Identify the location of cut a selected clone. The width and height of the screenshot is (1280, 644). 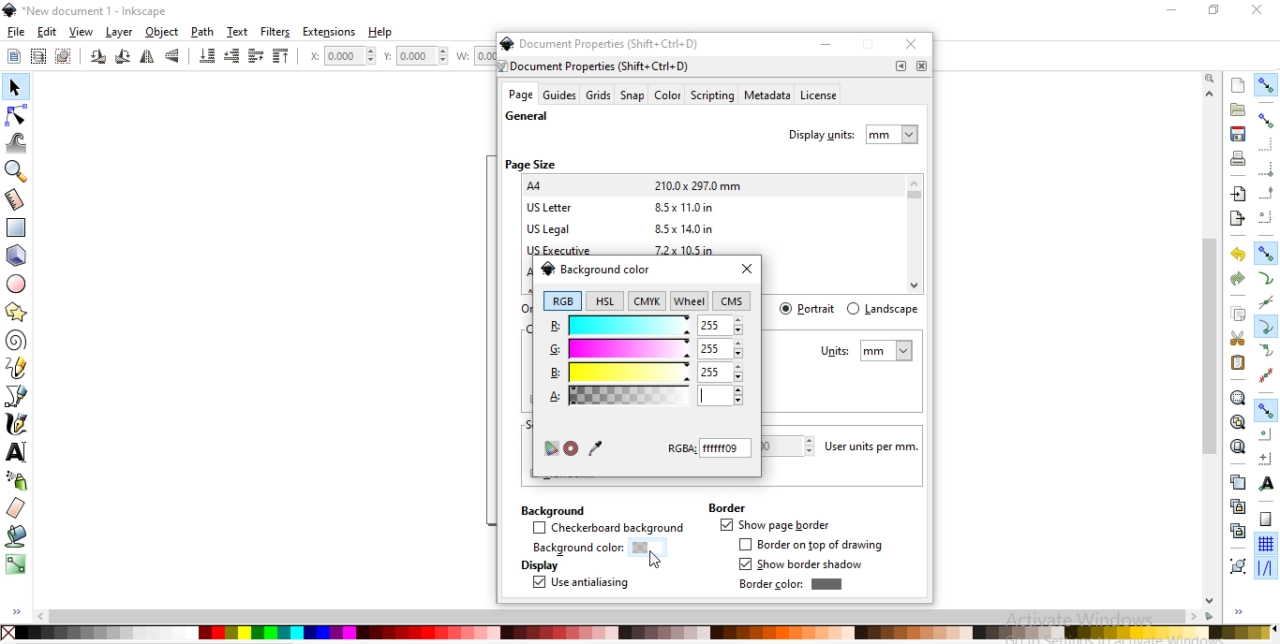
(1236, 533).